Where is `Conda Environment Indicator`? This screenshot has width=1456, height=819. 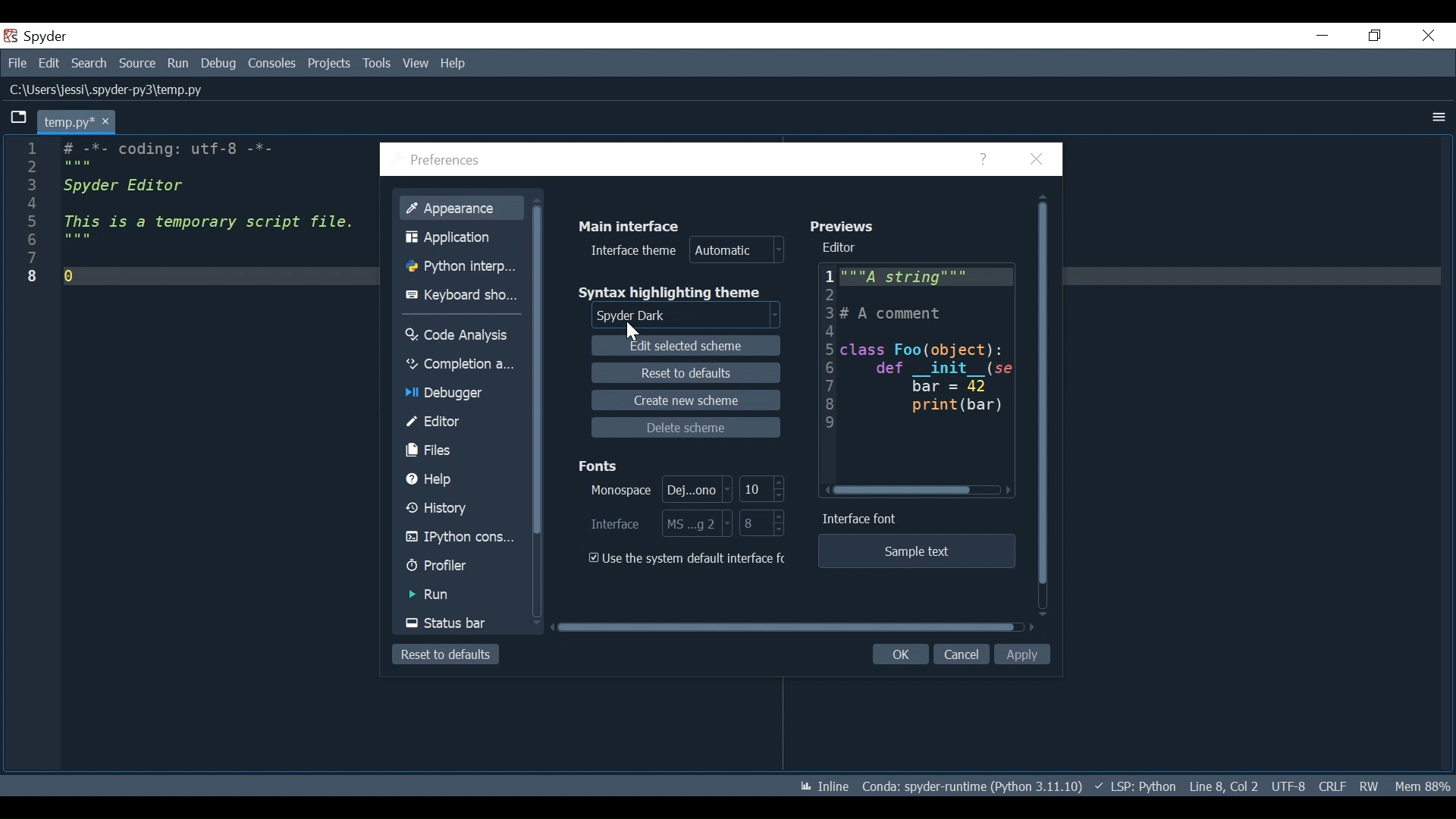 Conda Environment Indicator is located at coordinates (972, 784).